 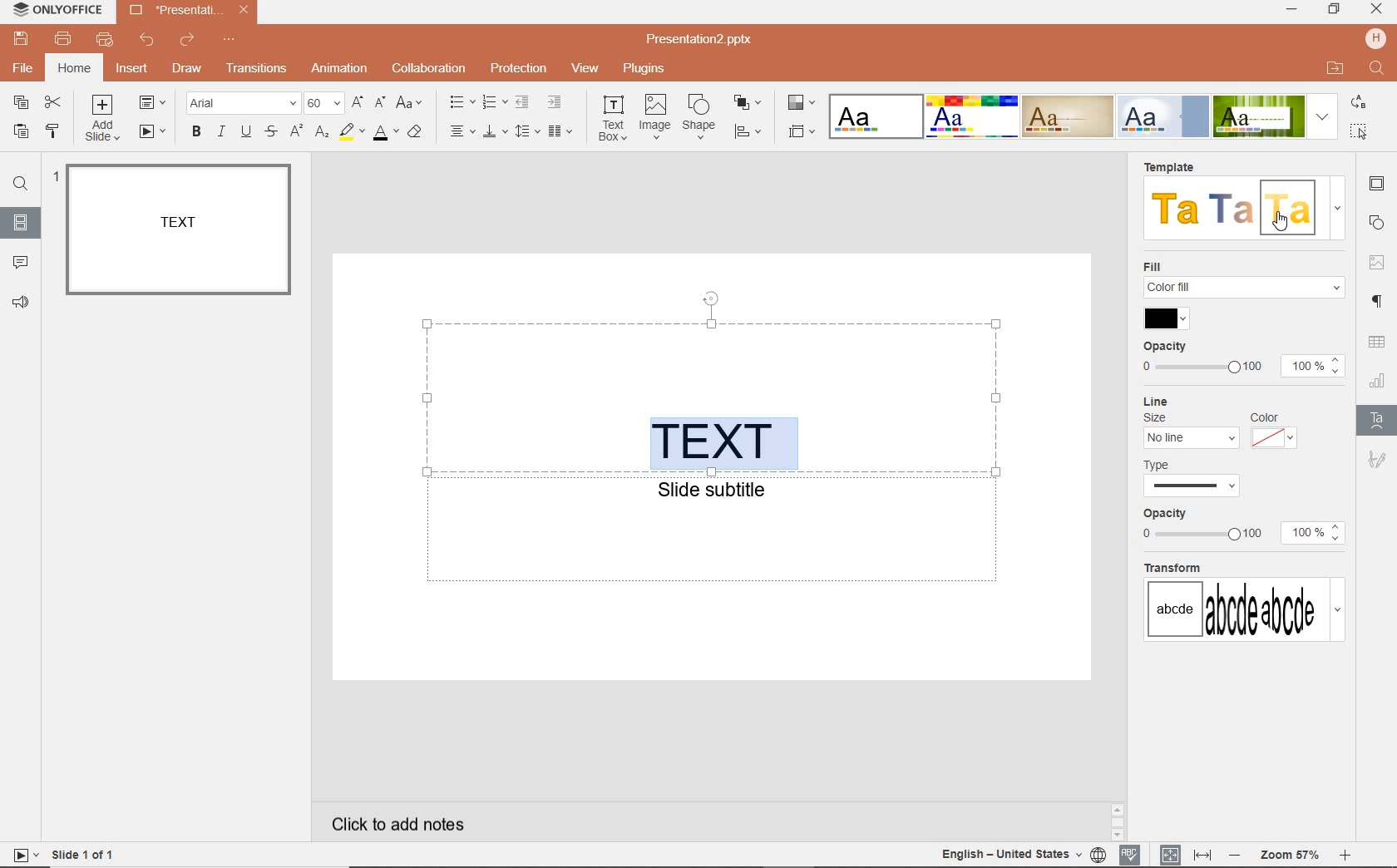 What do you see at coordinates (1008, 856) in the screenshot?
I see `english united states` at bounding box center [1008, 856].